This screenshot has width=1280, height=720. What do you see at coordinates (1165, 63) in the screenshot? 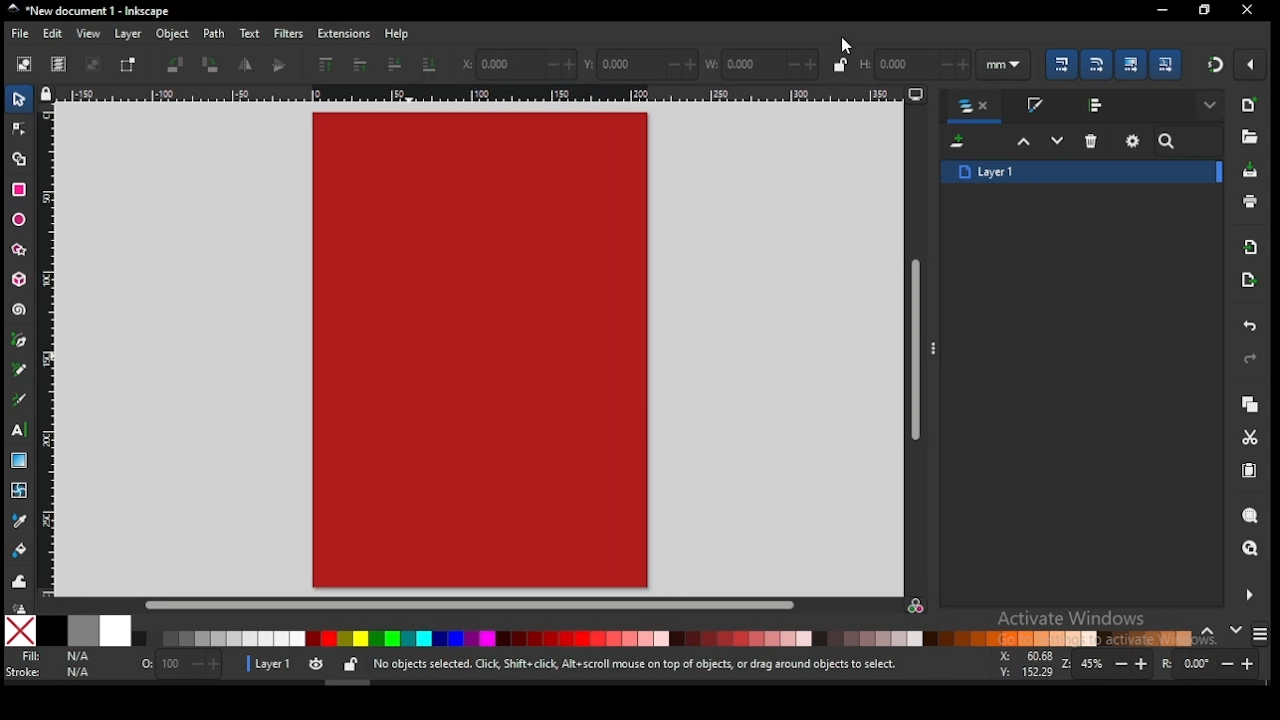
I see `move patterns along with objects` at bounding box center [1165, 63].